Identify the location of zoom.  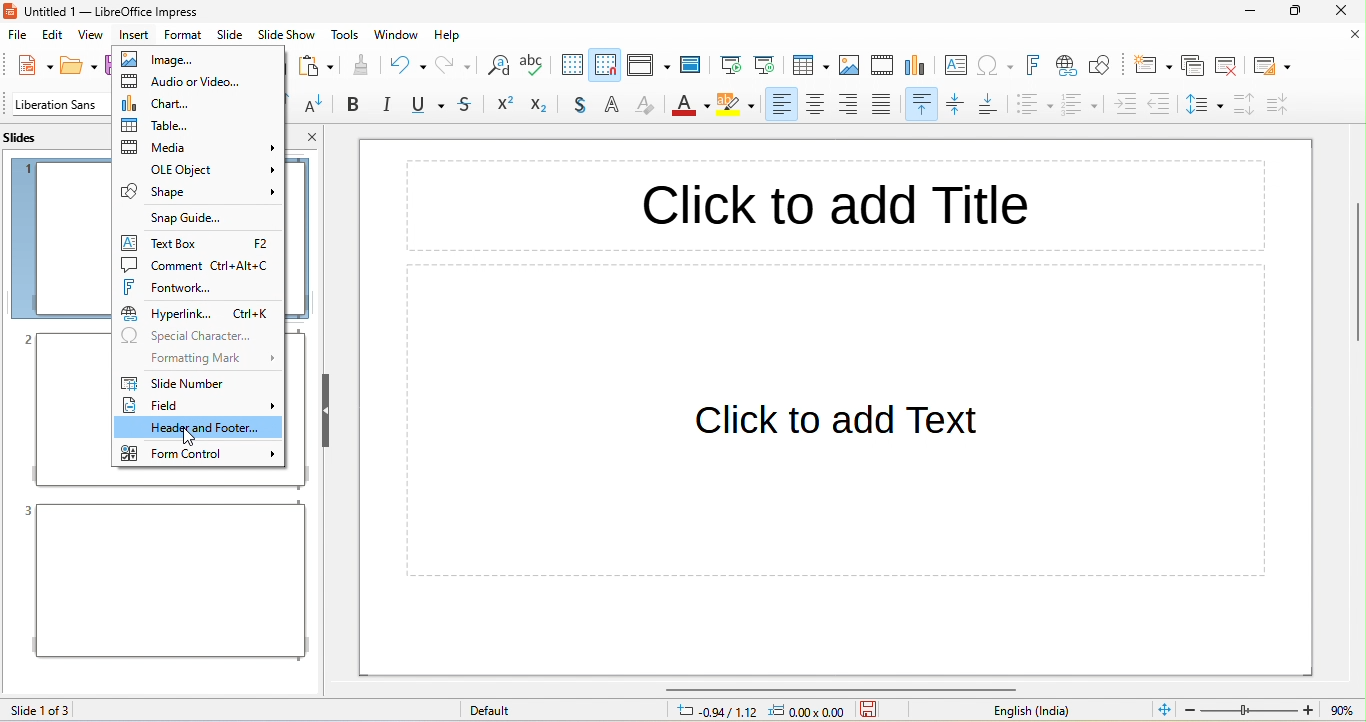
(1251, 710).